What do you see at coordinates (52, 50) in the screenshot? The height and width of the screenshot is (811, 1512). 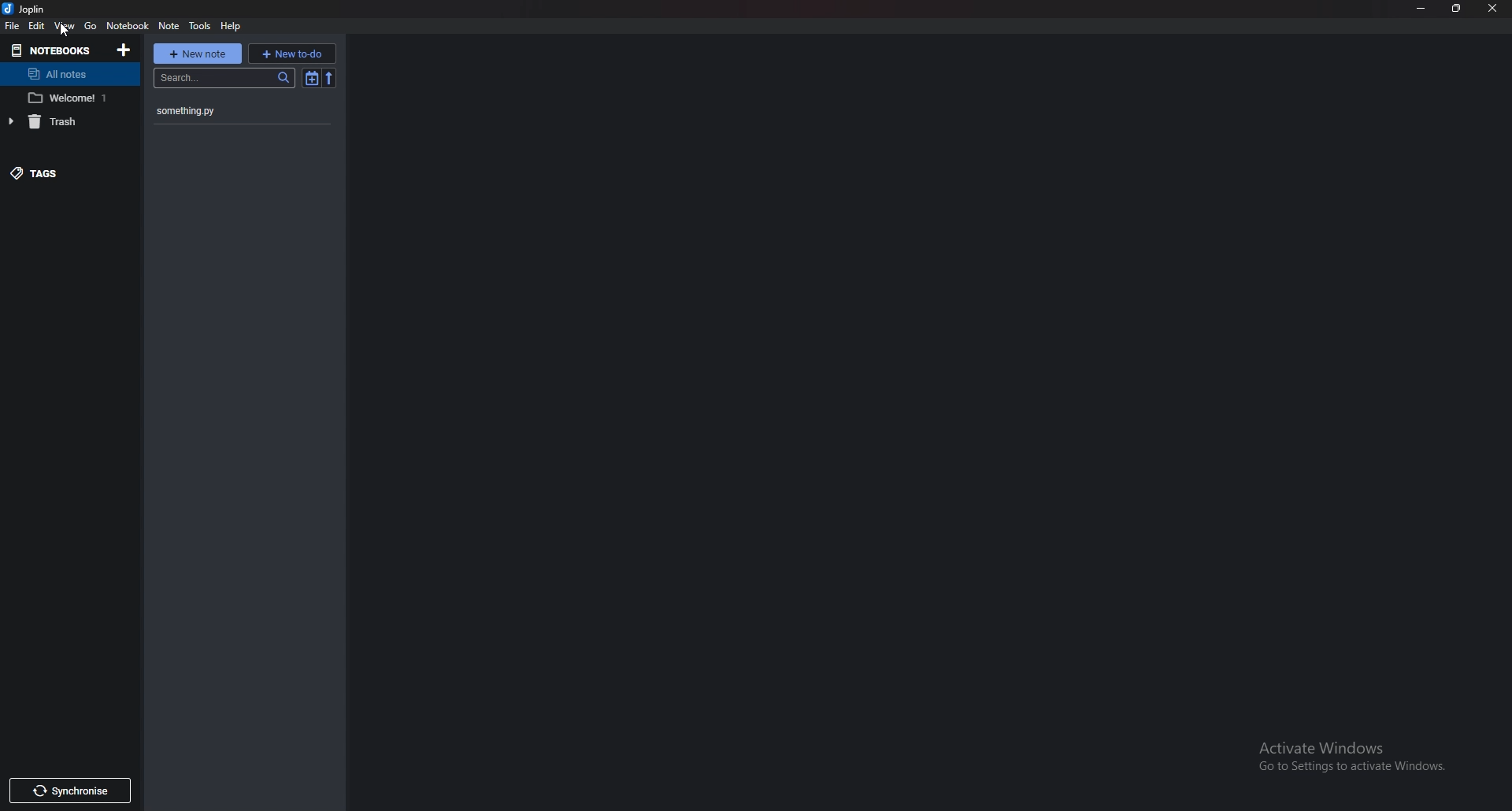 I see `Notebooks` at bounding box center [52, 50].